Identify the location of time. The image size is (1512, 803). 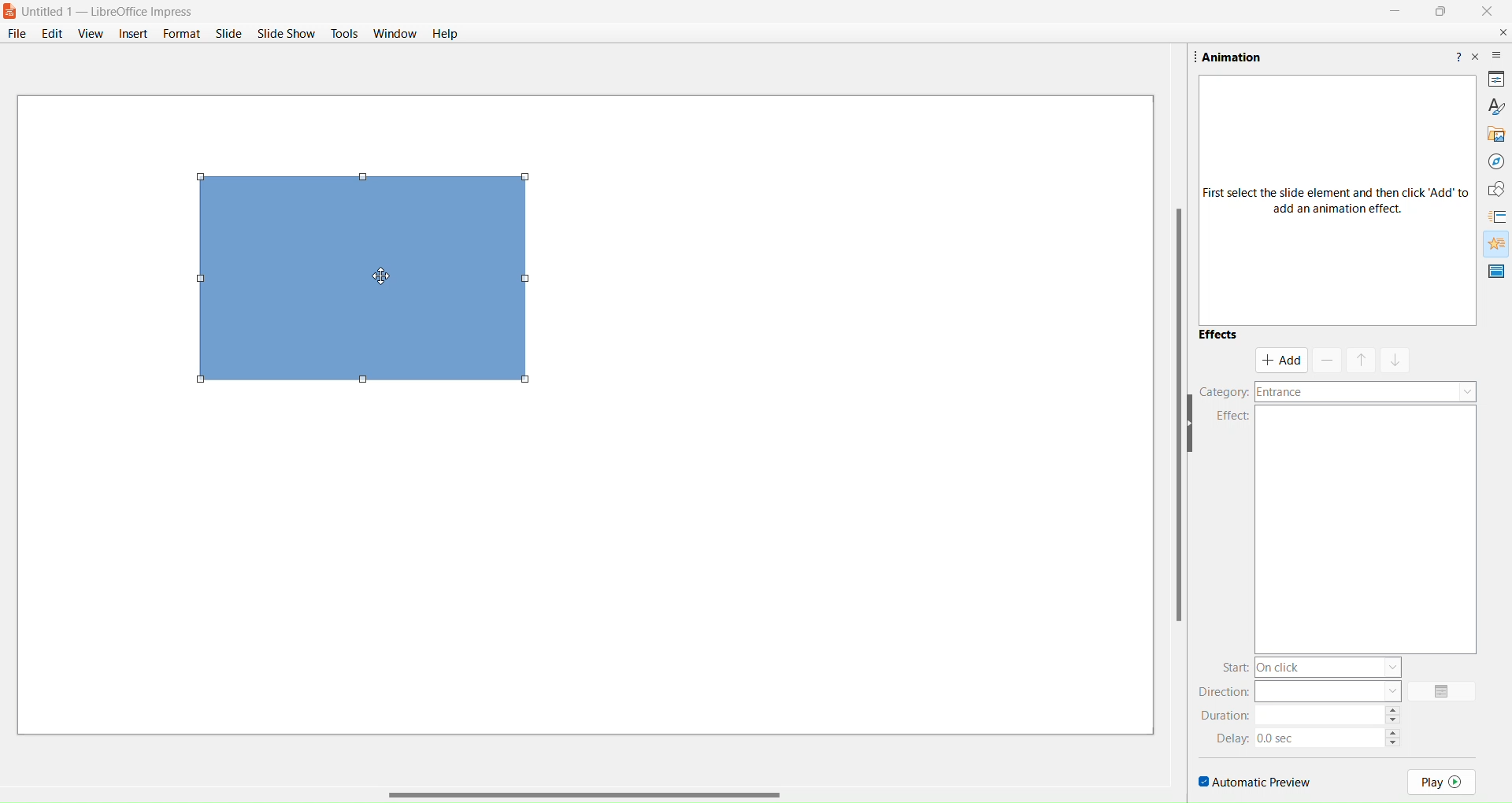
(1321, 713).